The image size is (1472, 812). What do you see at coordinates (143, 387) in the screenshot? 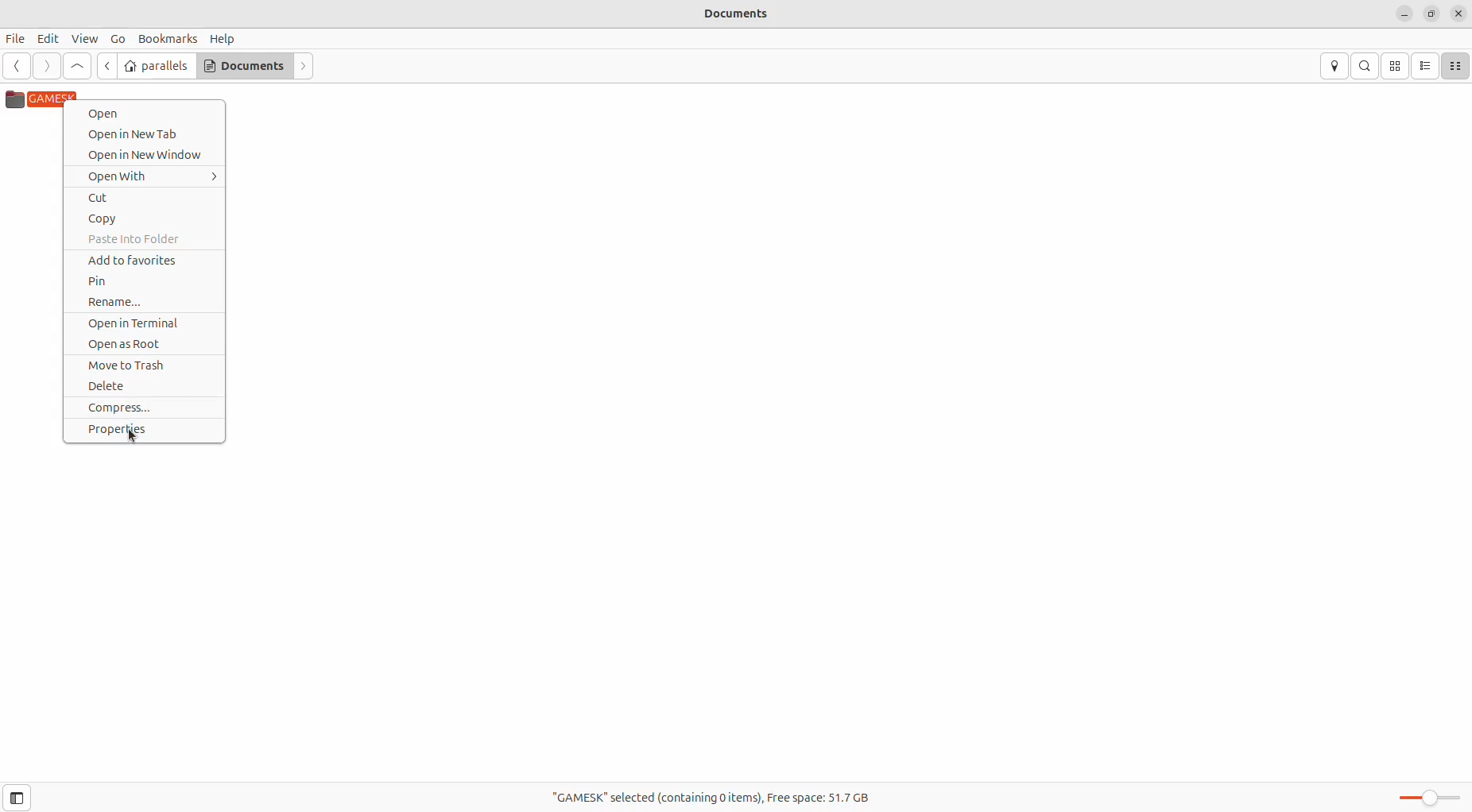
I see `delete` at bounding box center [143, 387].